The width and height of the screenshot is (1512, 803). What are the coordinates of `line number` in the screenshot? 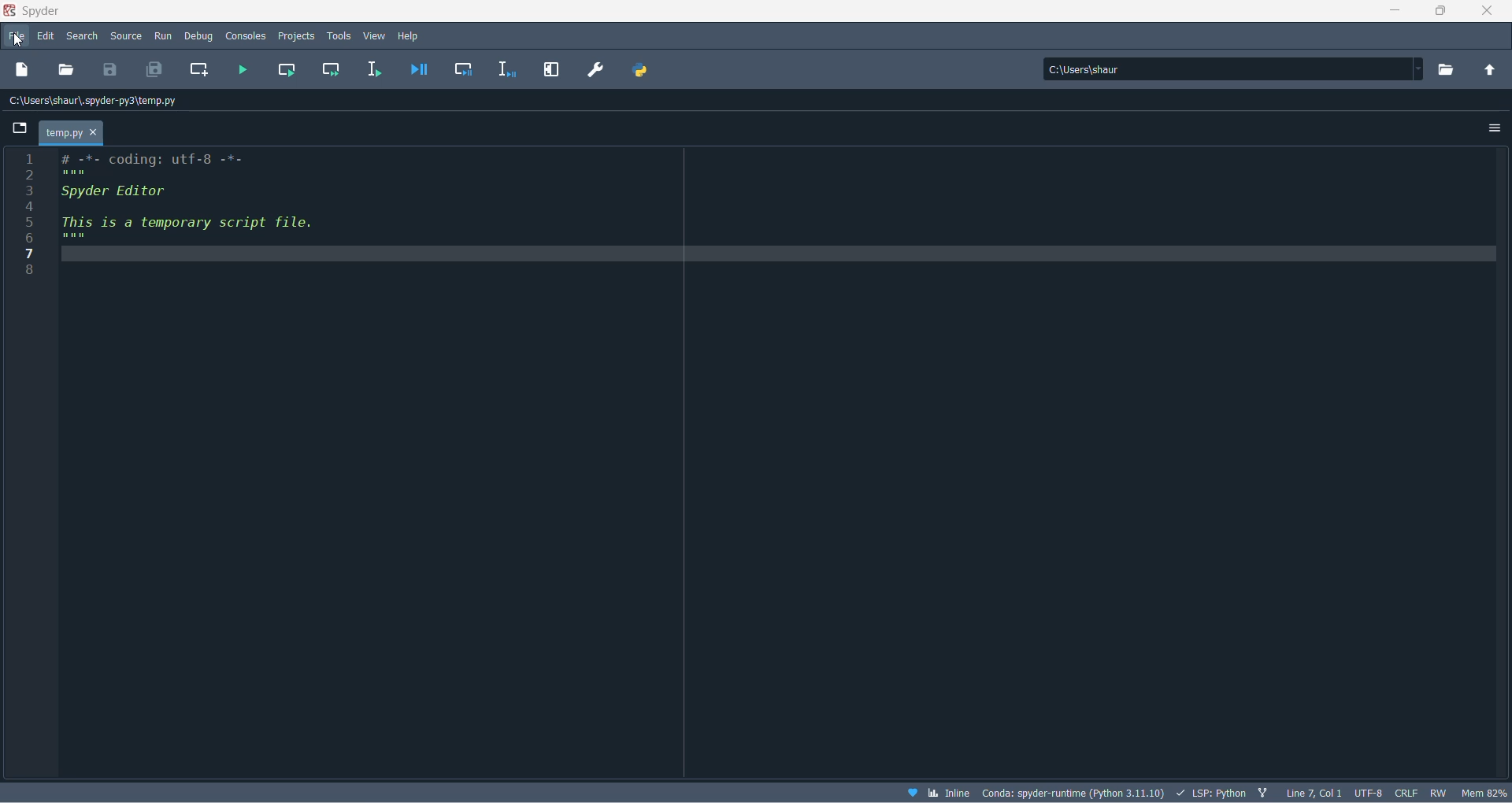 It's located at (31, 219).